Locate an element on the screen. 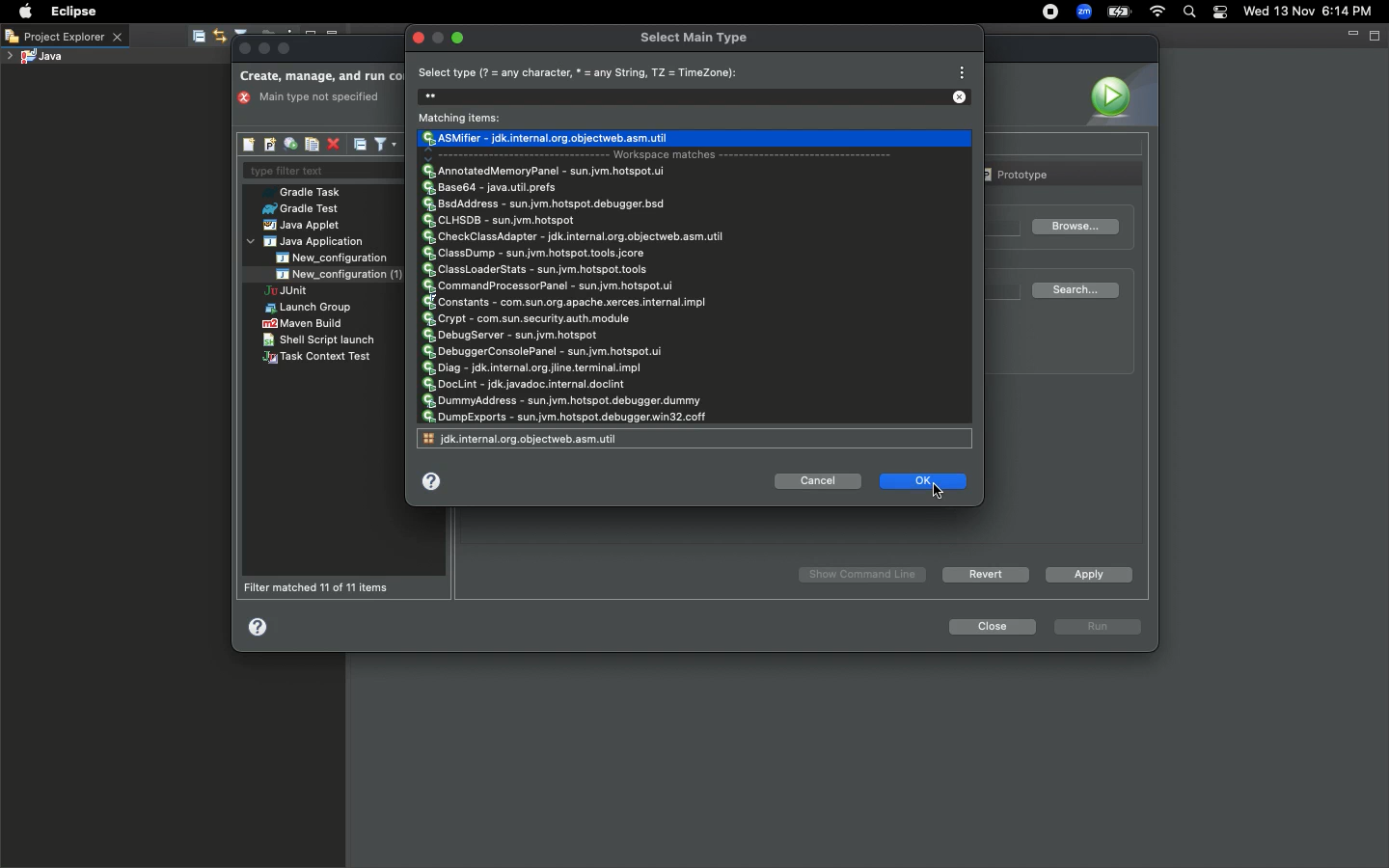 The width and height of the screenshot is (1389, 868). Close is located at coordinates (422, 37).